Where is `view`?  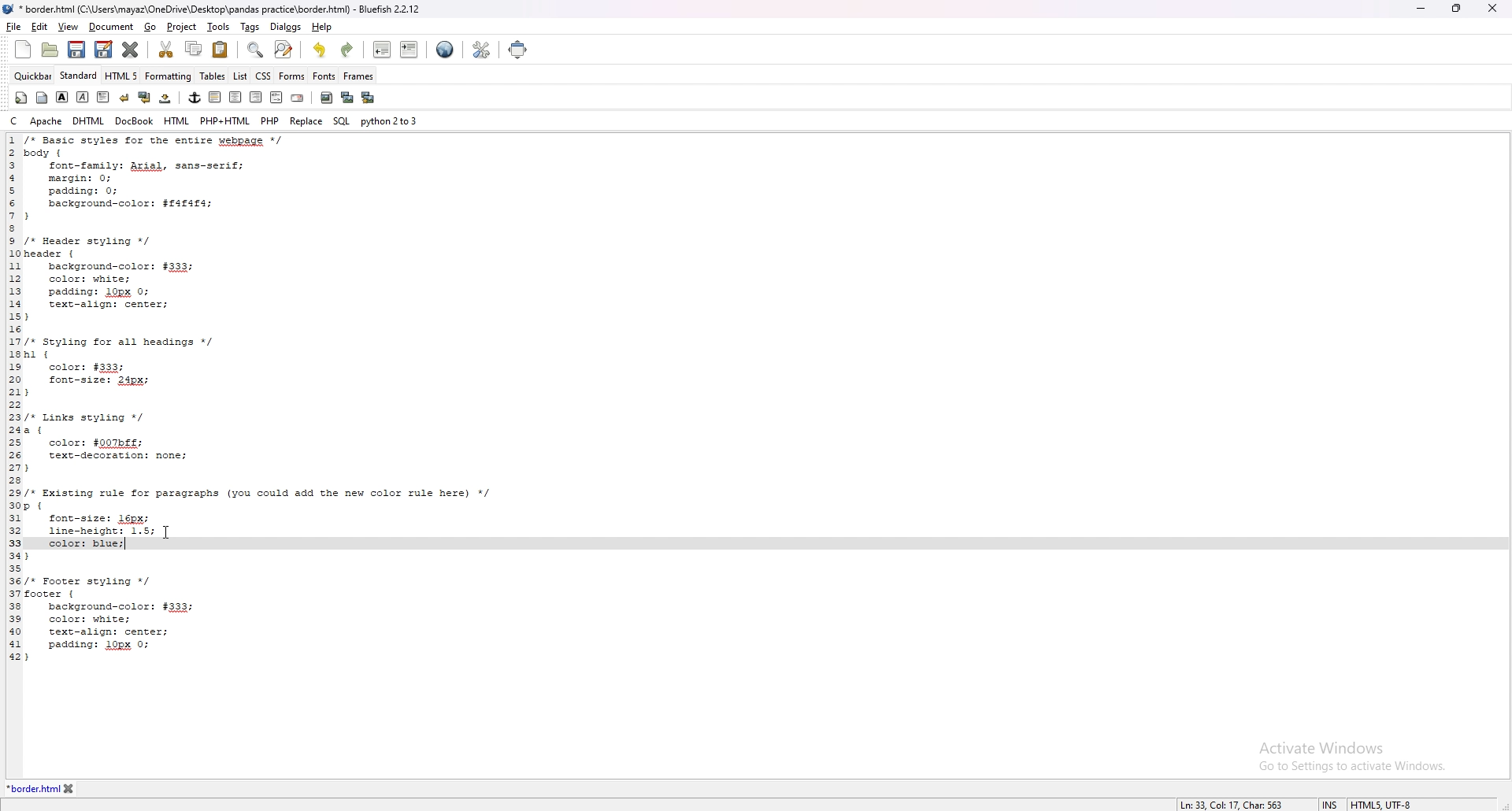 view is located at coordinates (68, 28).